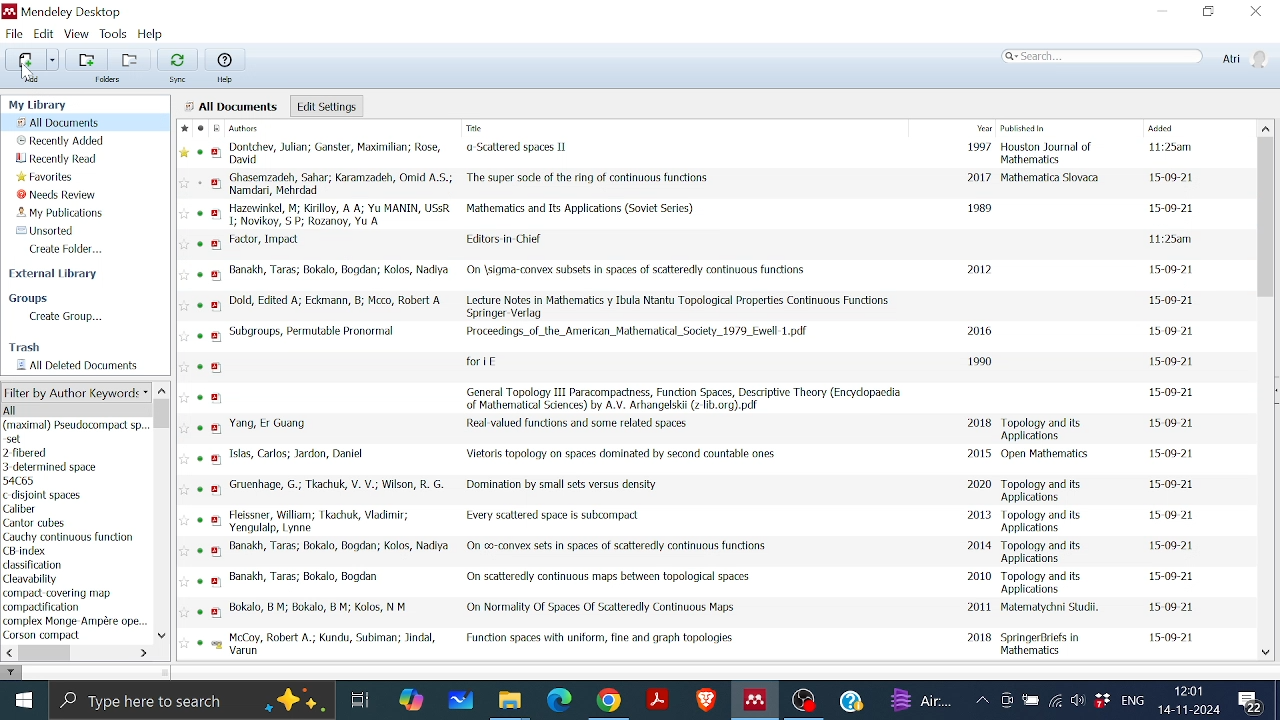 Image resolution: width=1280 pixels, height=720 pixels. What do you see at coordinates (559, 700) in the screenshot?
I see `Microsoft edge` at bounding box center [559, 700].